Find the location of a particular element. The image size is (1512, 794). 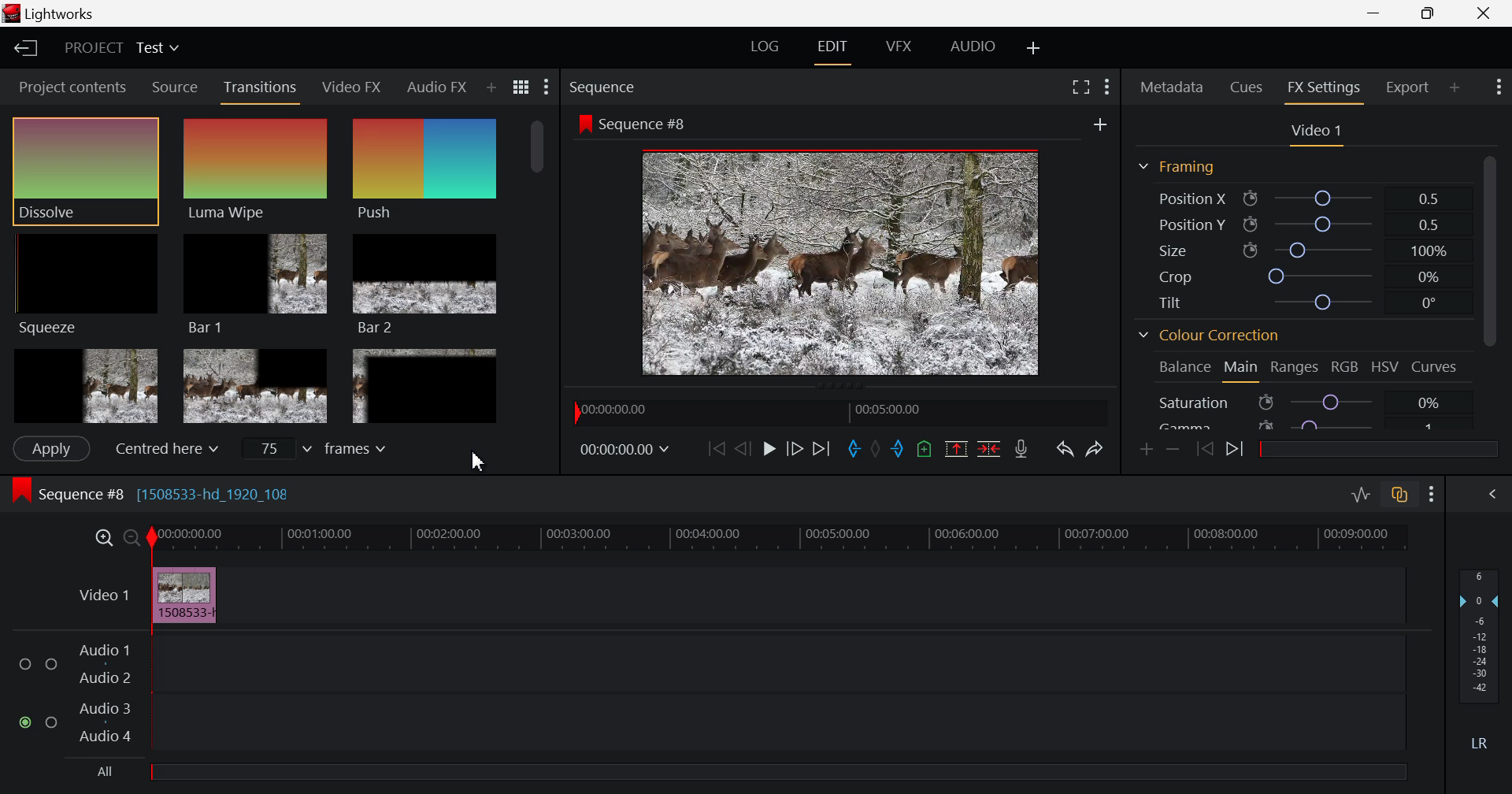

Scroll Bar is located at coordinates (535, 277).